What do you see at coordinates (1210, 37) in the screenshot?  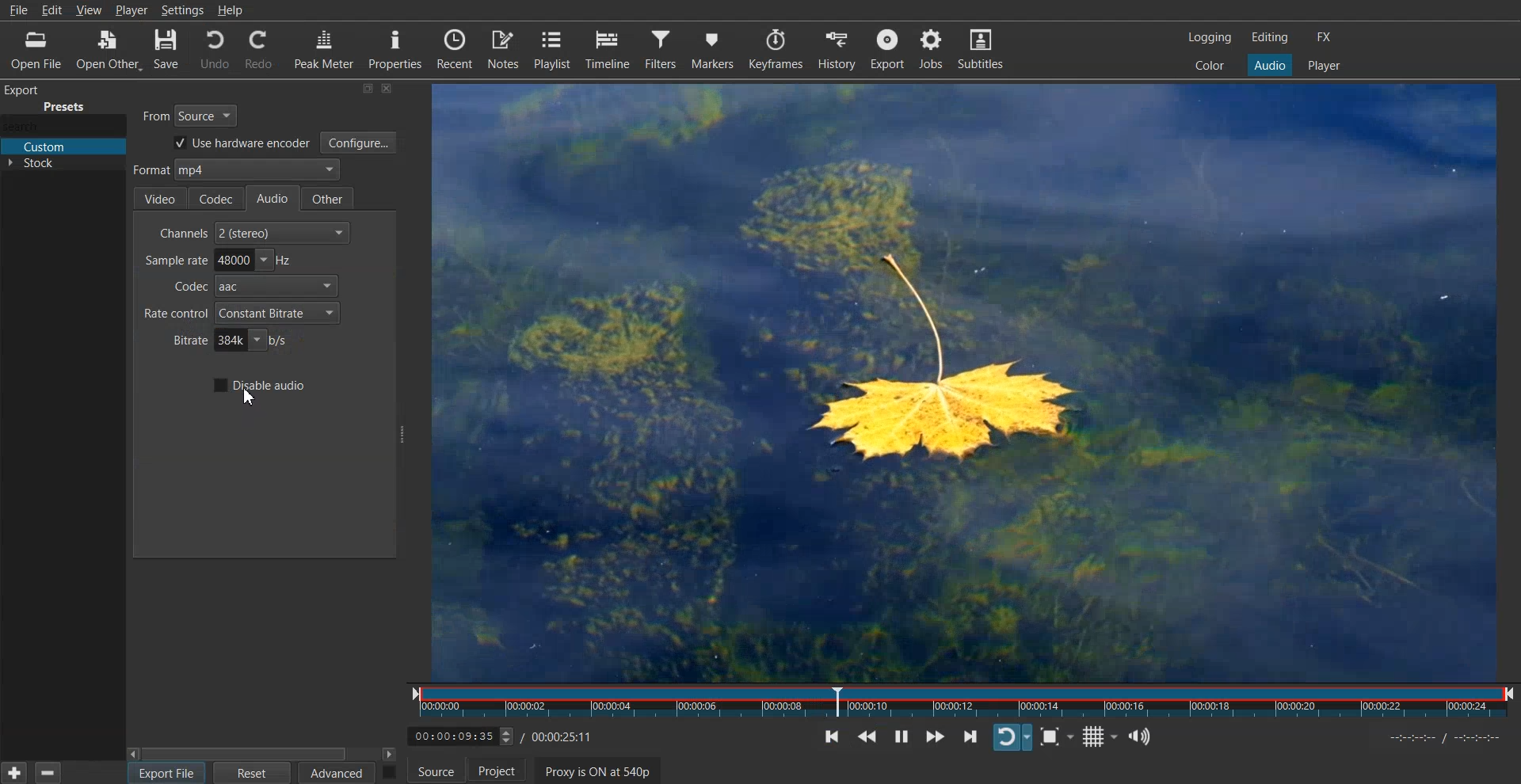 I see `Logging` at bounding box center [1210, 37].